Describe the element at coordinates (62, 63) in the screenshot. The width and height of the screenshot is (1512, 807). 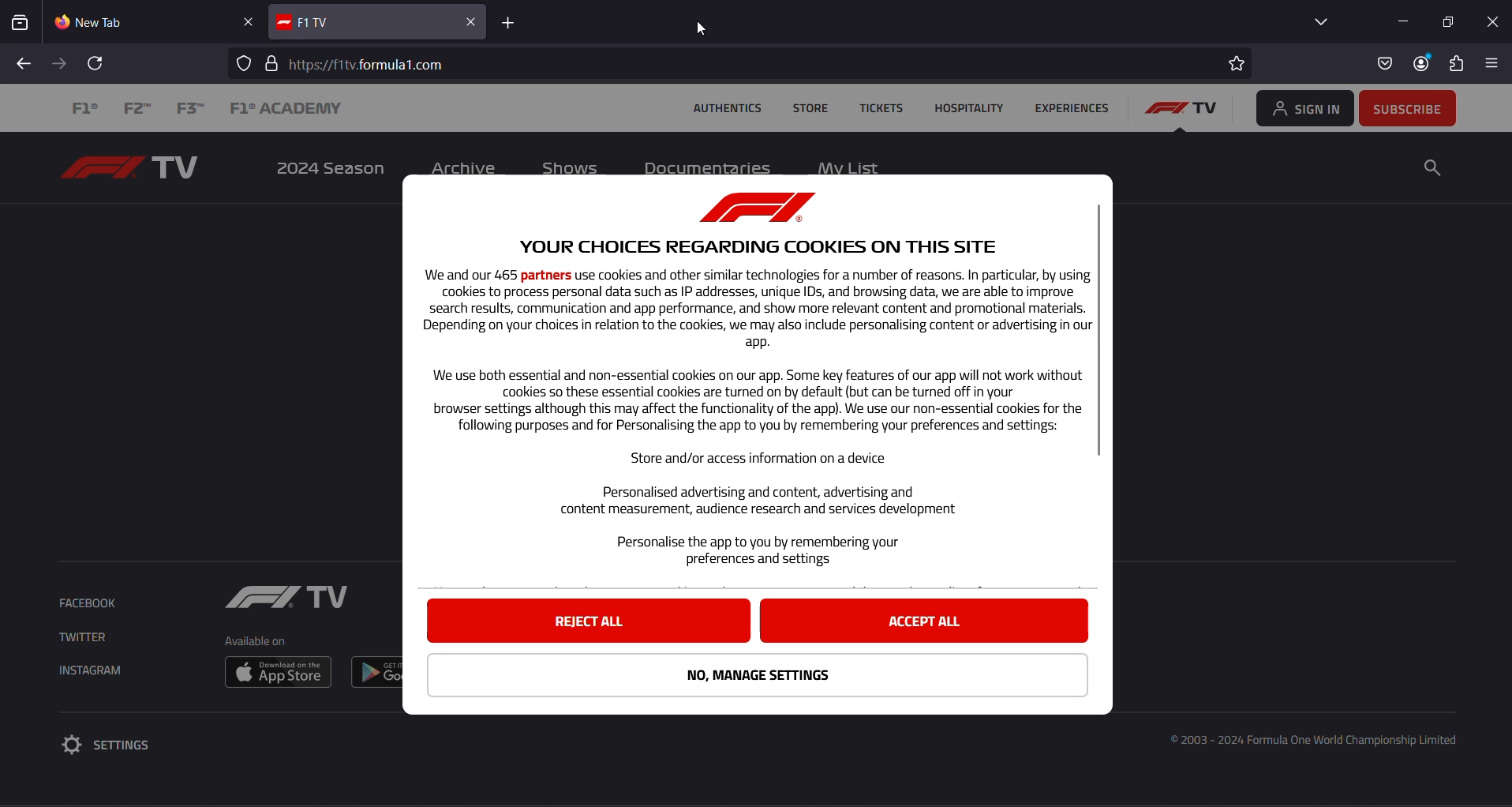
I see `go forward one page` at that location.